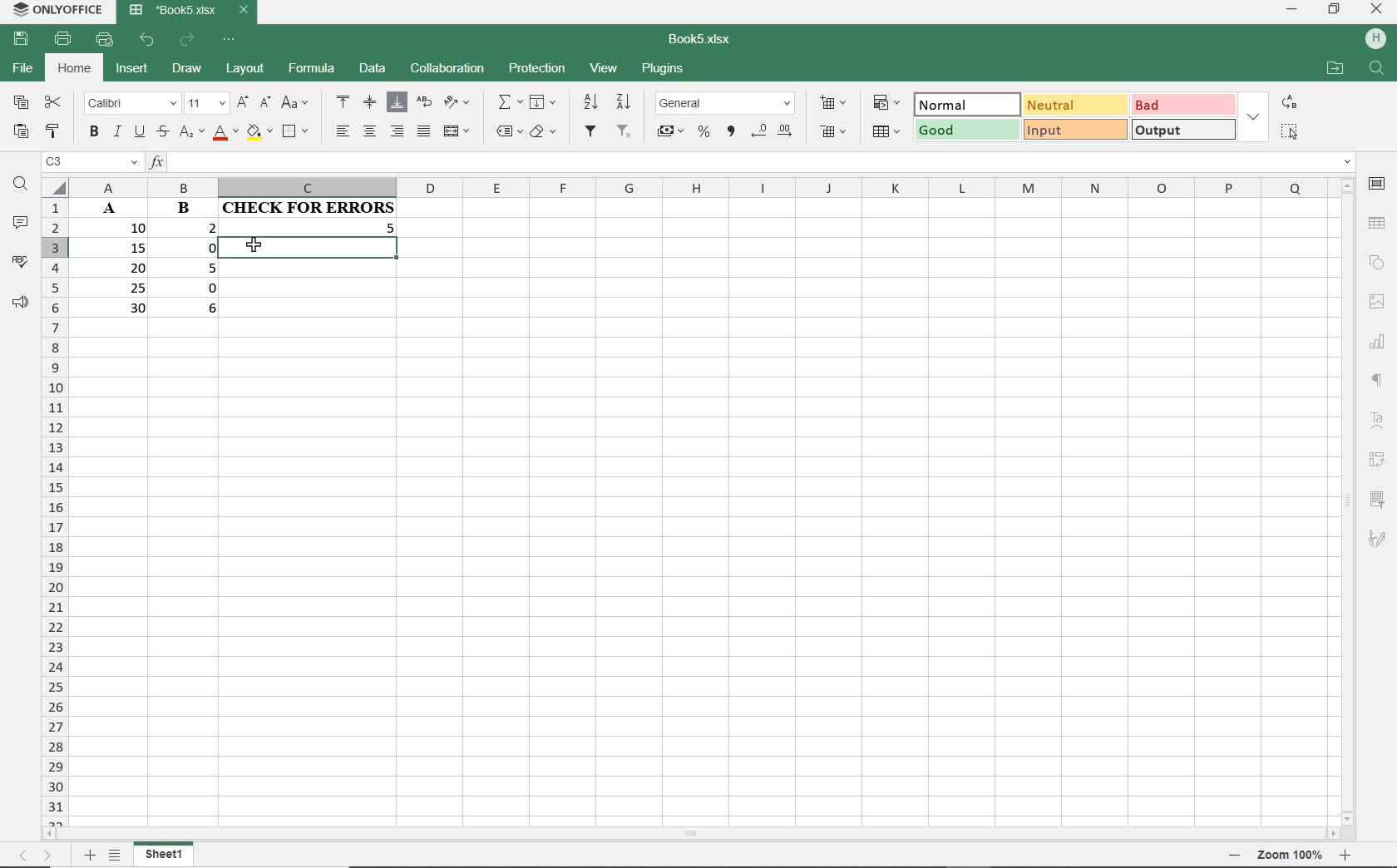  I want to click on FILE, so click(20, 68).